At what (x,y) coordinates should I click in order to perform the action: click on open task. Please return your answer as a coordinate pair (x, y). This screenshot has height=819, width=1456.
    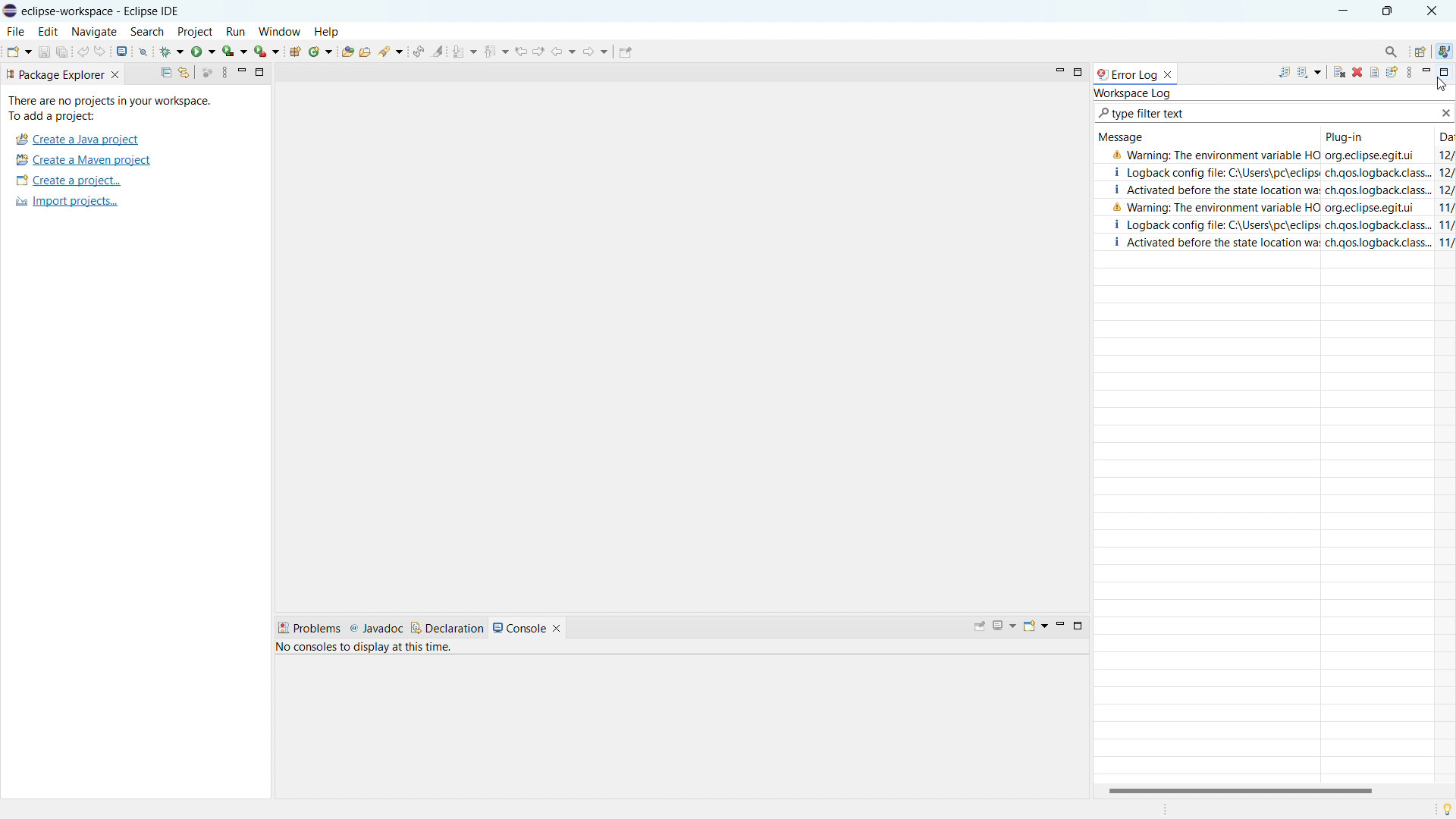
    Looking at the image, I should click on (366, 50).